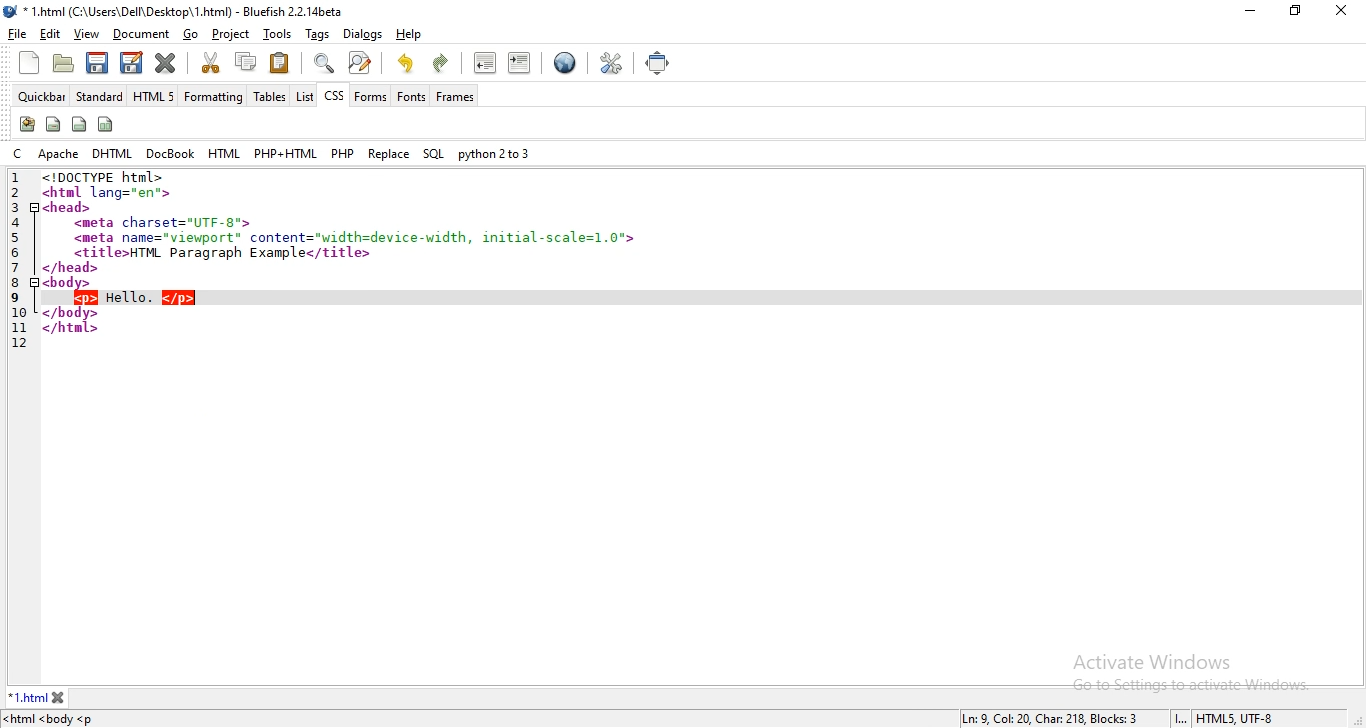 The width and height of the screenshot is (1366, 728). Describe the element at coordinates (303, 96) in the screenshot. I see `list` at that location.